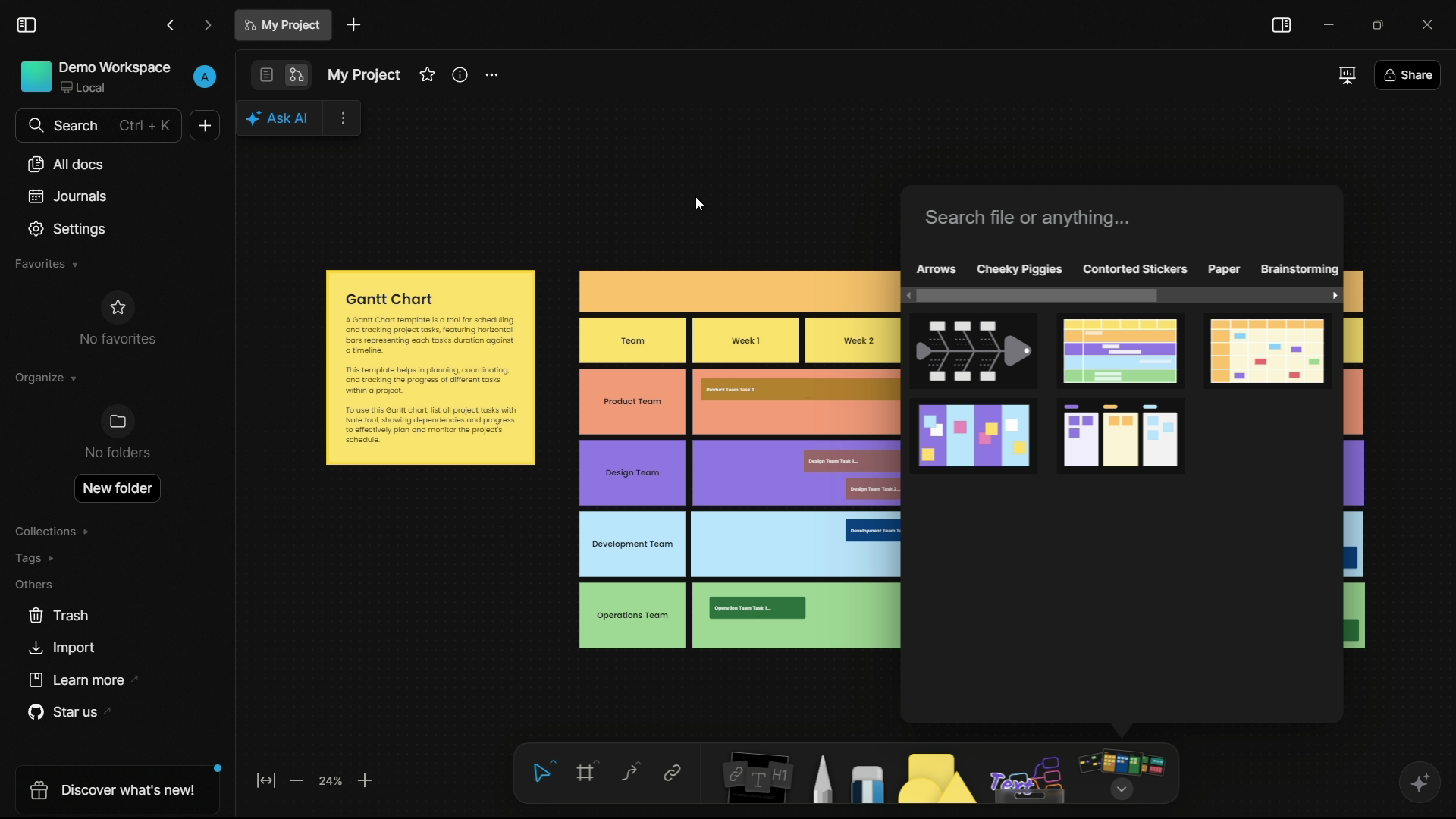 Image resolution: width=1456 pixels, height=819 pixels. What do you see at coordinates (1128, 397) in the screenshot?
I see `tables` at bounding box center [1128, 397].